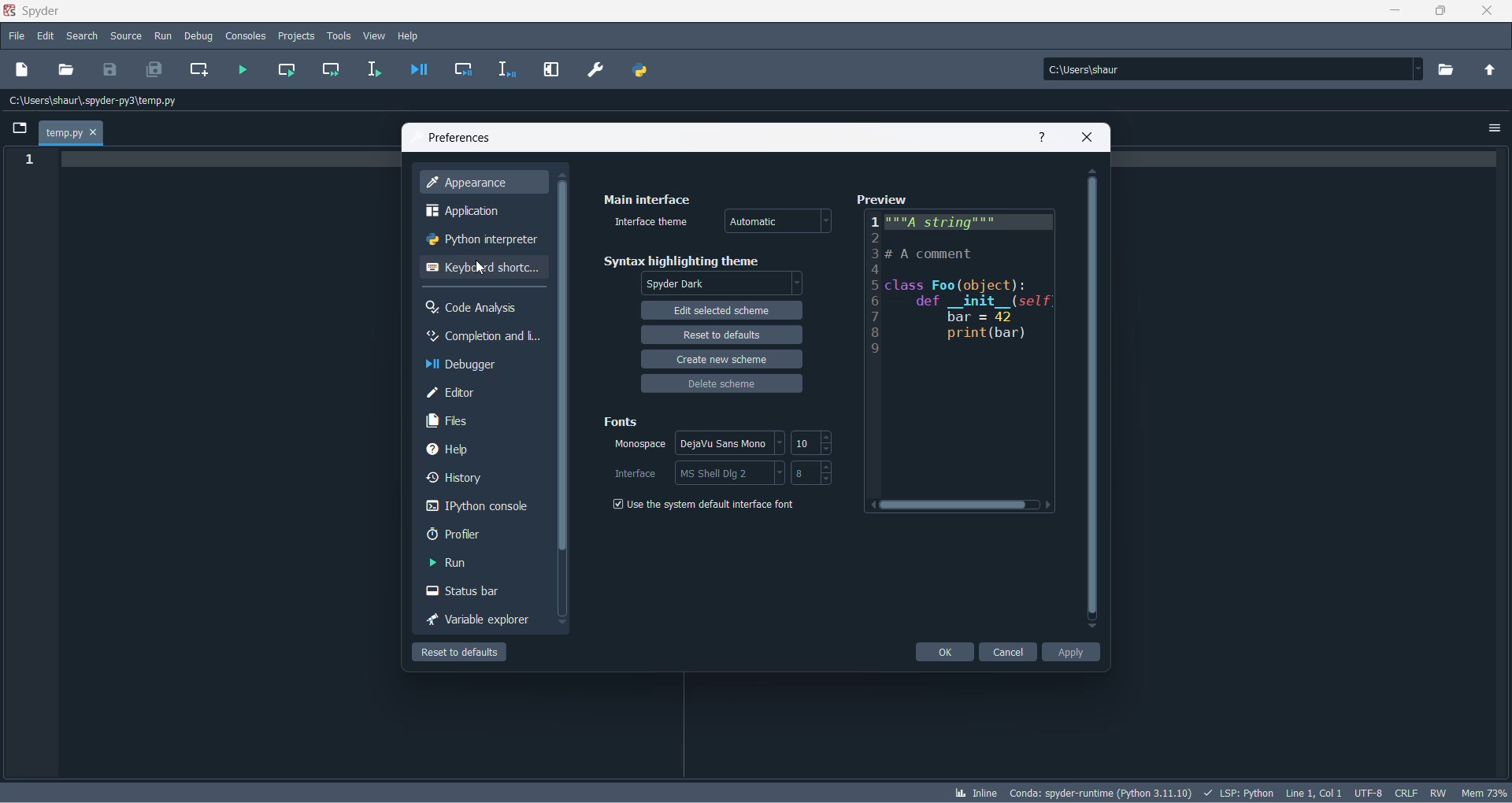 Image resolution: width=1512 pixels, height=803 pixels. I want to click on run selection, so click(372, 68).